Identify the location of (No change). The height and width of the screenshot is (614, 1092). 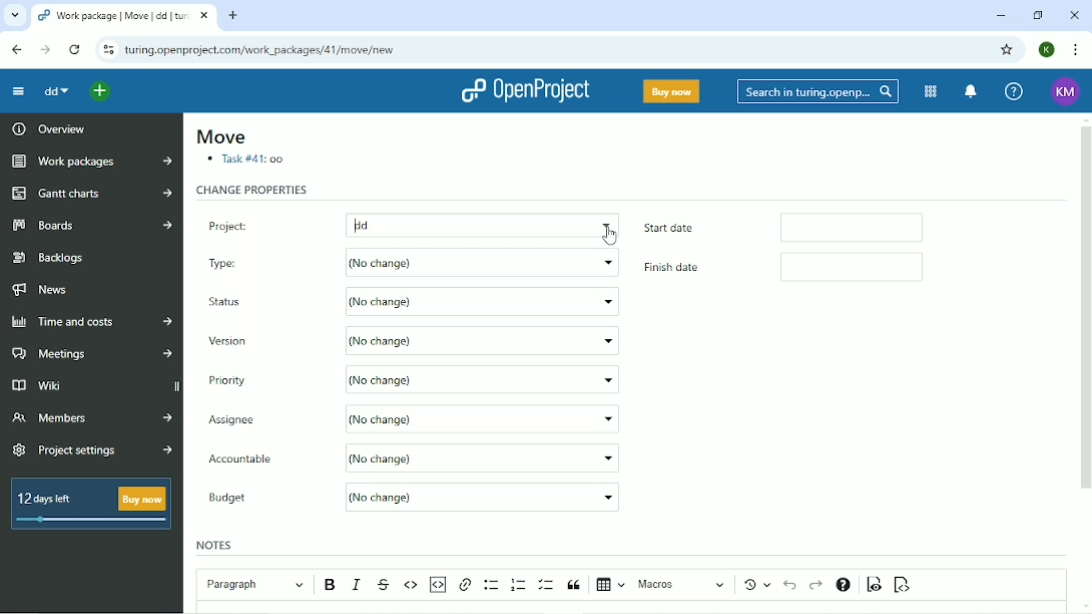
(489, 457).